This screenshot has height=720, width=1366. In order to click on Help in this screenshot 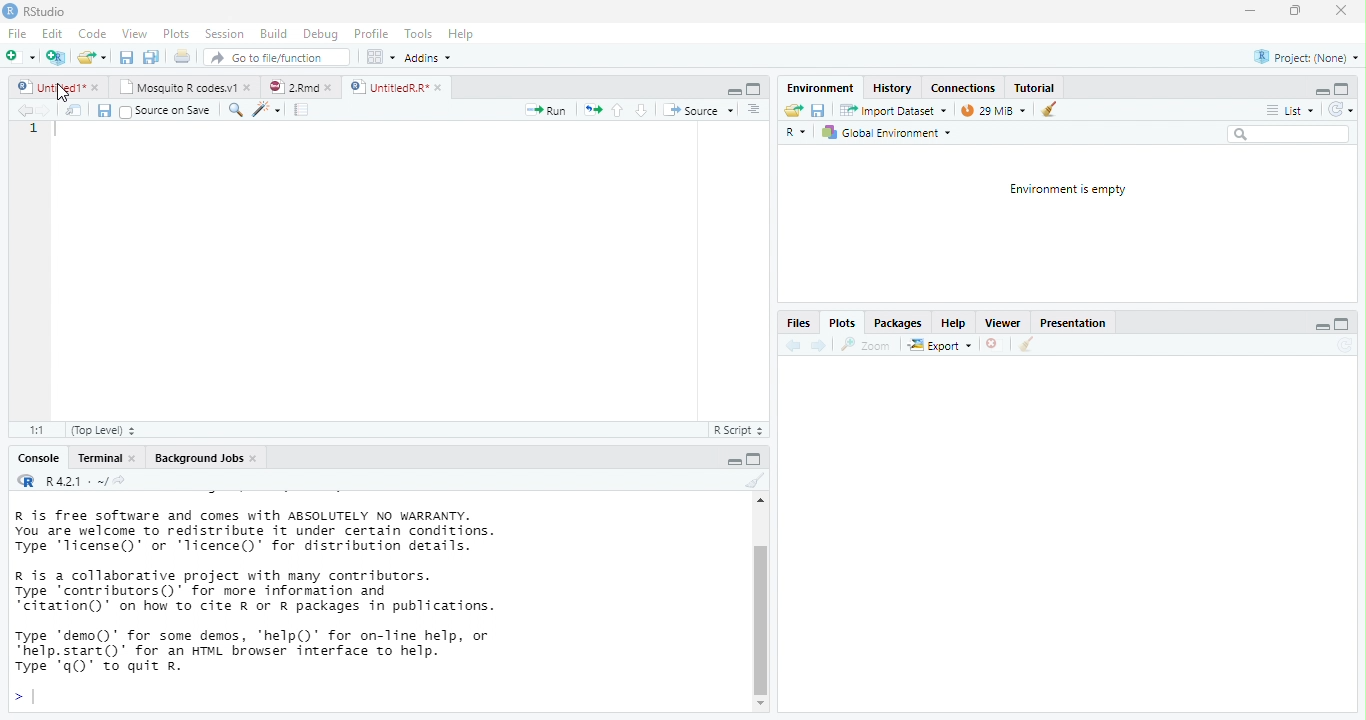, I will do `click(951, 323)`.